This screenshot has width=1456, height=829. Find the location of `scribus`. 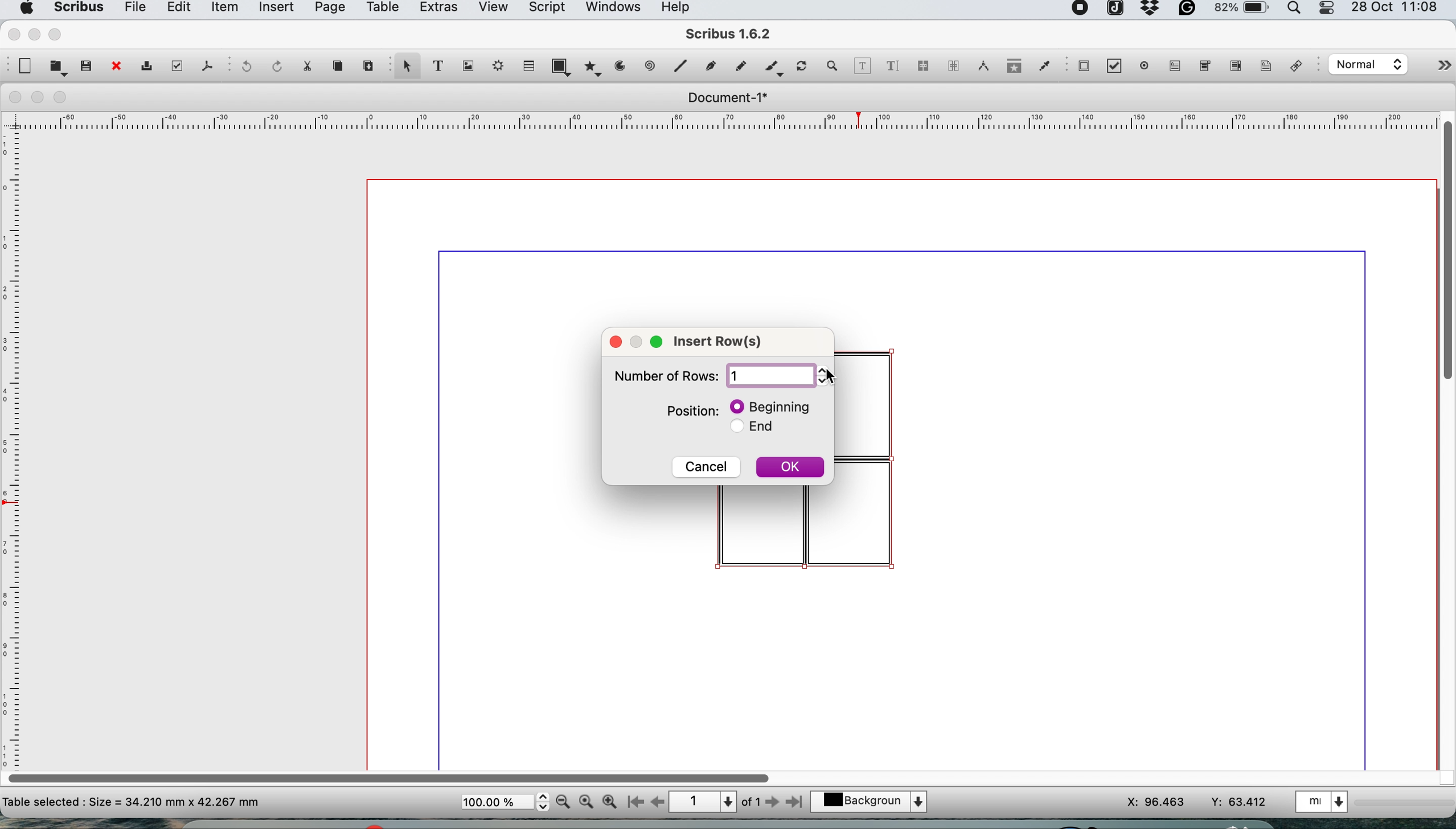

scribus is located at coordinates (77, 9).